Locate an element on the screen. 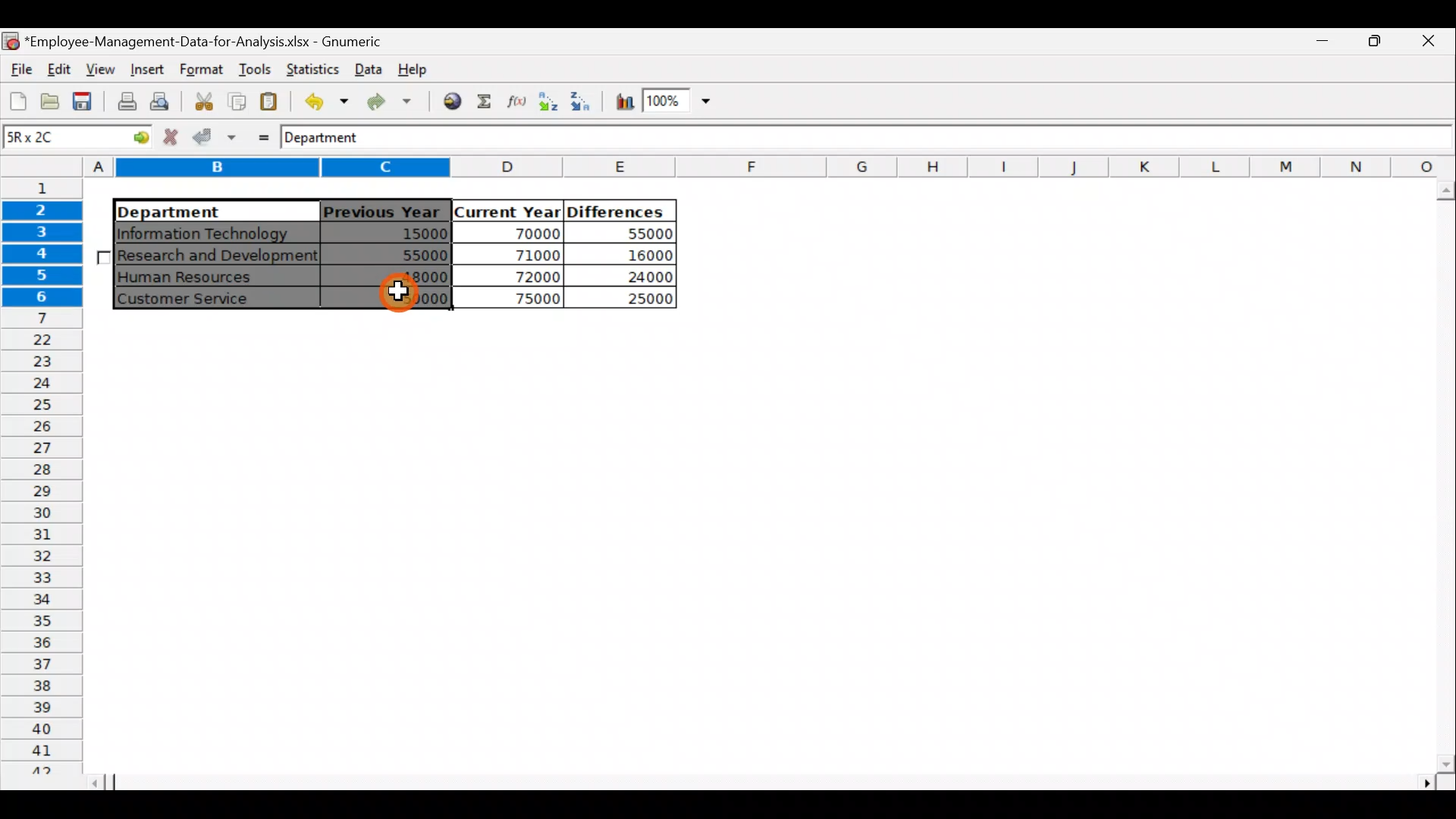  Cursor on cell C6 is located at coordinates (399, 296).